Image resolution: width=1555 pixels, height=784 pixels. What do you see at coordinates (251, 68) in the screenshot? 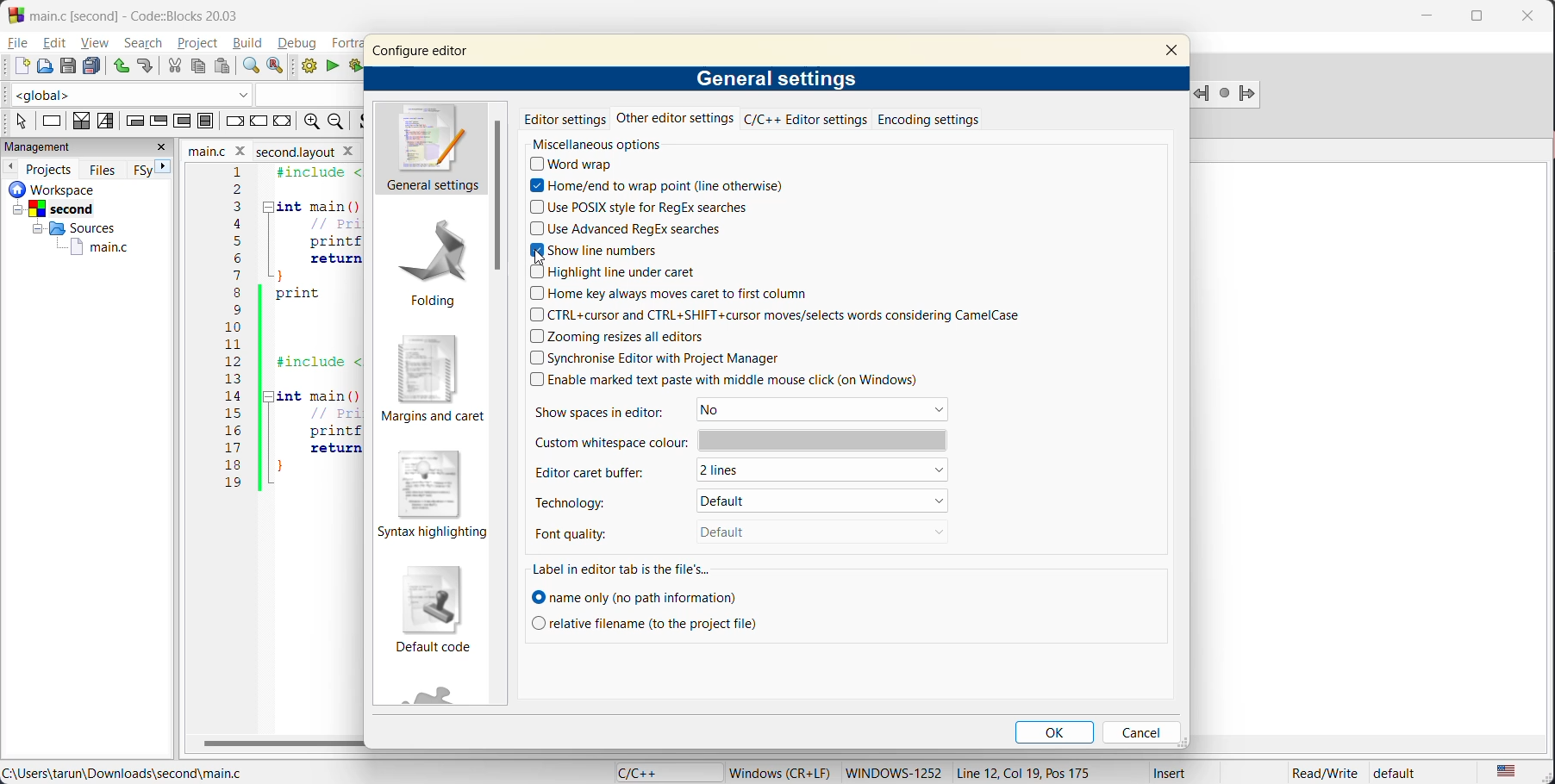
I see `find` at bounding box center [251, 68].